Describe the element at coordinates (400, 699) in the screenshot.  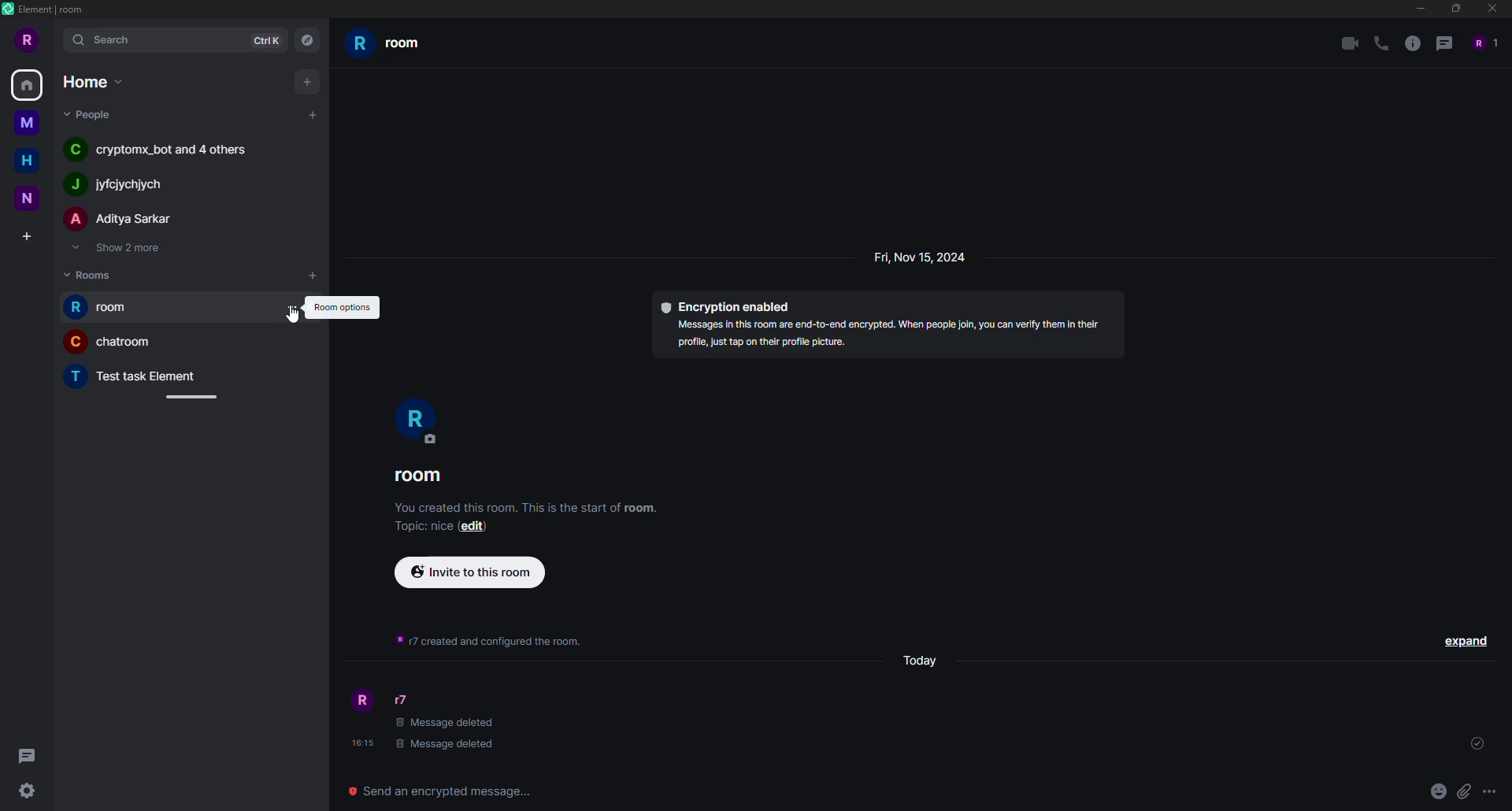
I see `r7` at that location.